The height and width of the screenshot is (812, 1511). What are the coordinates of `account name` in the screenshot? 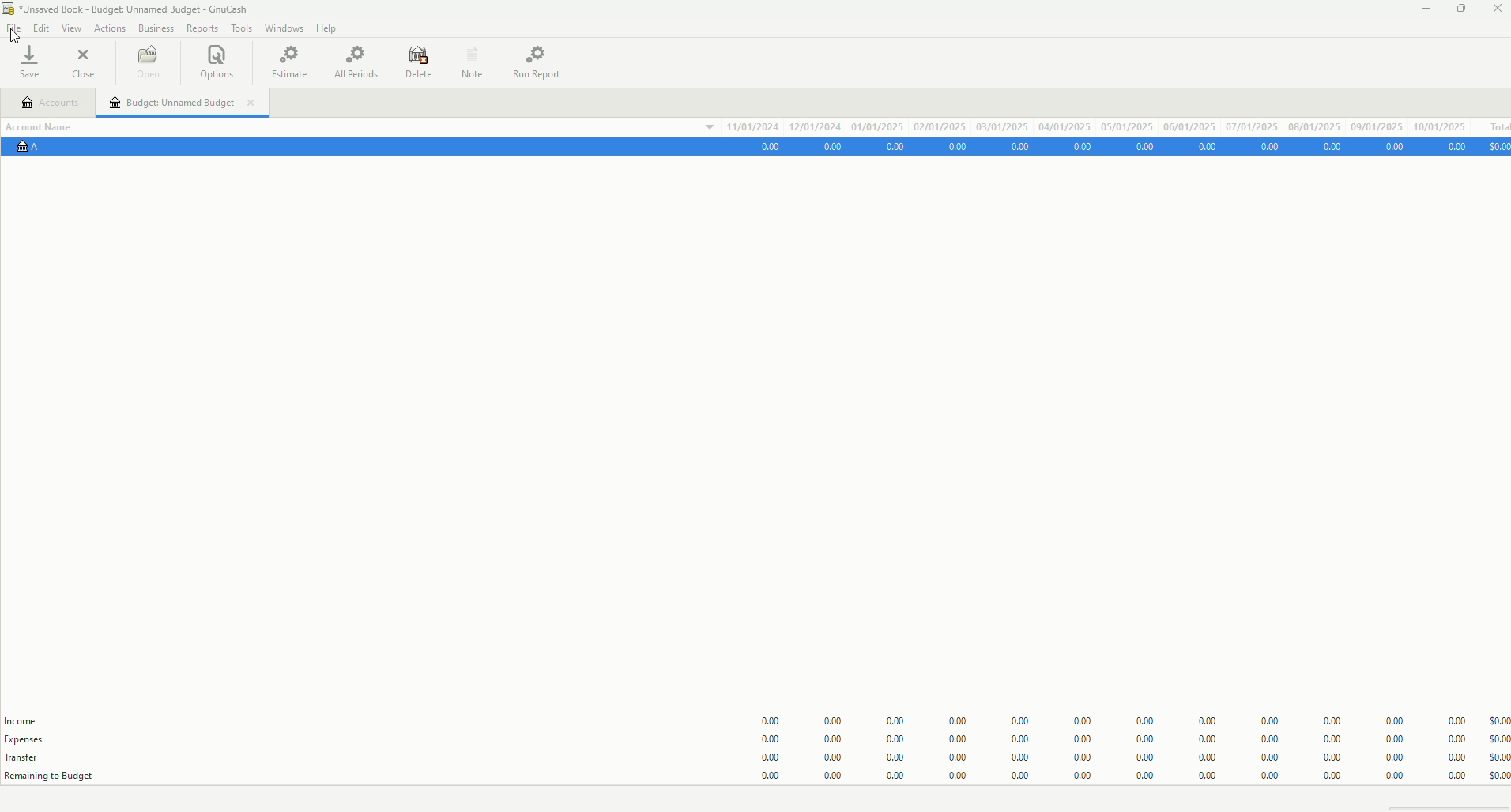 It's located at (47, 126).